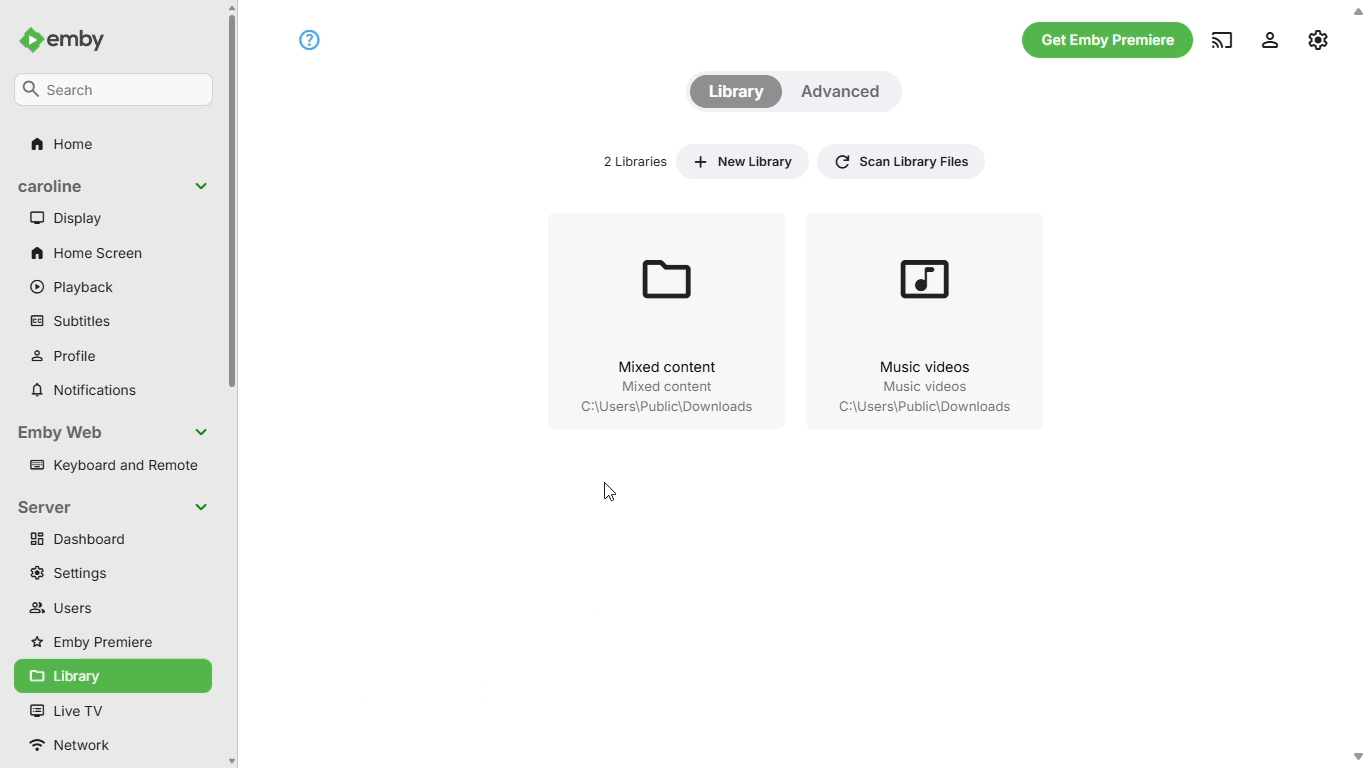 Image resolution: width=1366 pixels, height=768 pixels. I want to click on settings, so click(1319, 37).